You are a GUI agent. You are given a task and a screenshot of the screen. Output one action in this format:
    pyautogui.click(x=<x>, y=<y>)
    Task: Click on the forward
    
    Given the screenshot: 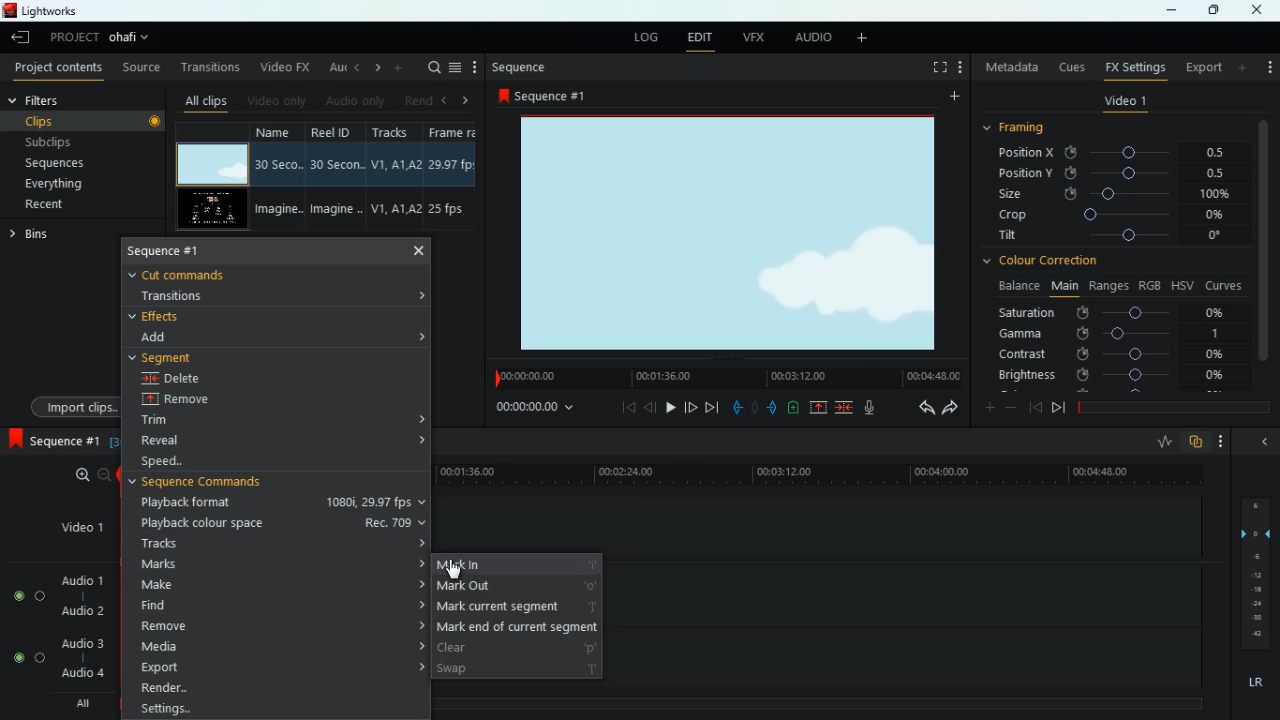 What is the action you would take?
    pyautogui.click(x=950, y=408)
    